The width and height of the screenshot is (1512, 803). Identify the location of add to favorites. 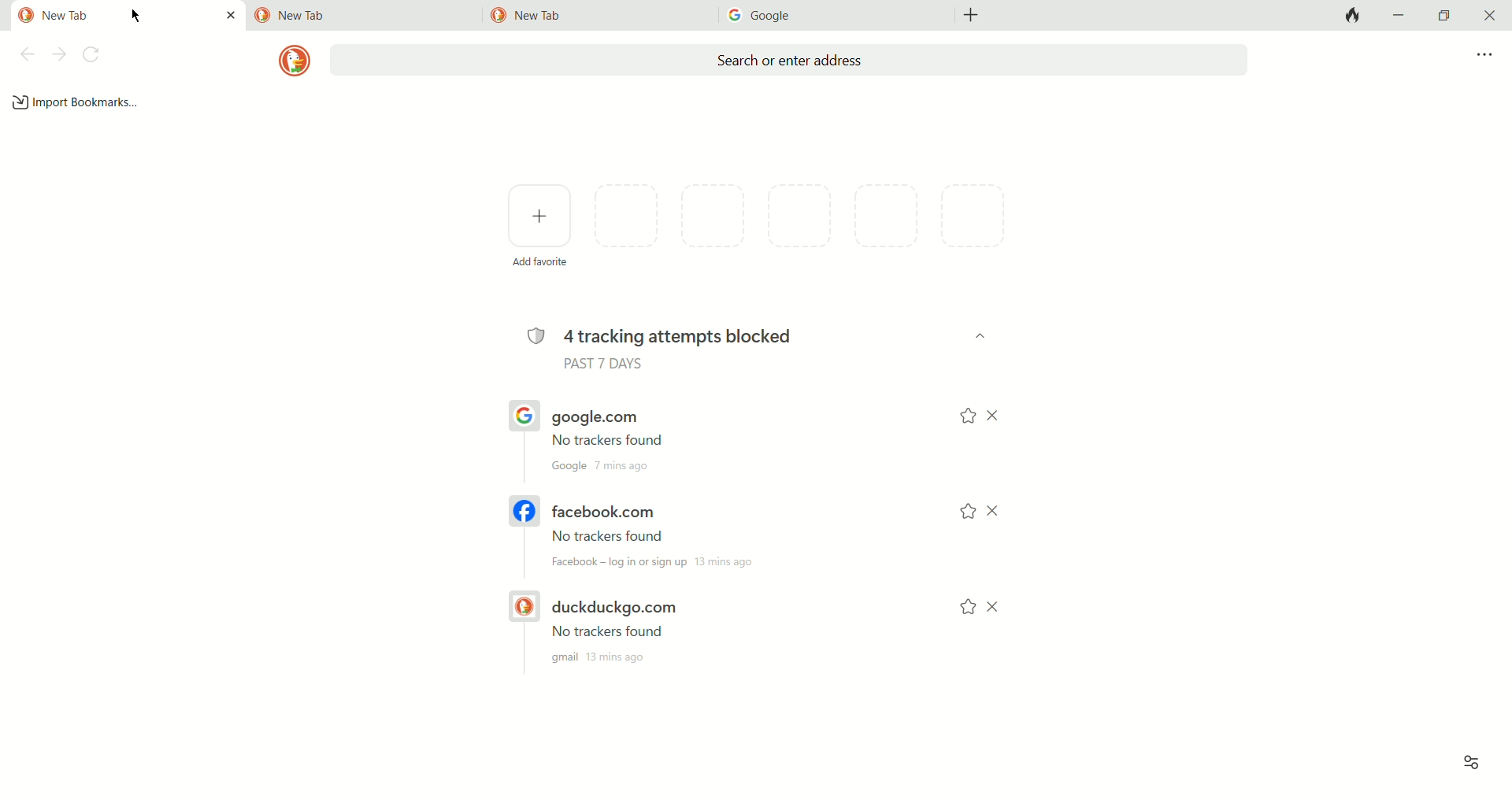
(967, 605).